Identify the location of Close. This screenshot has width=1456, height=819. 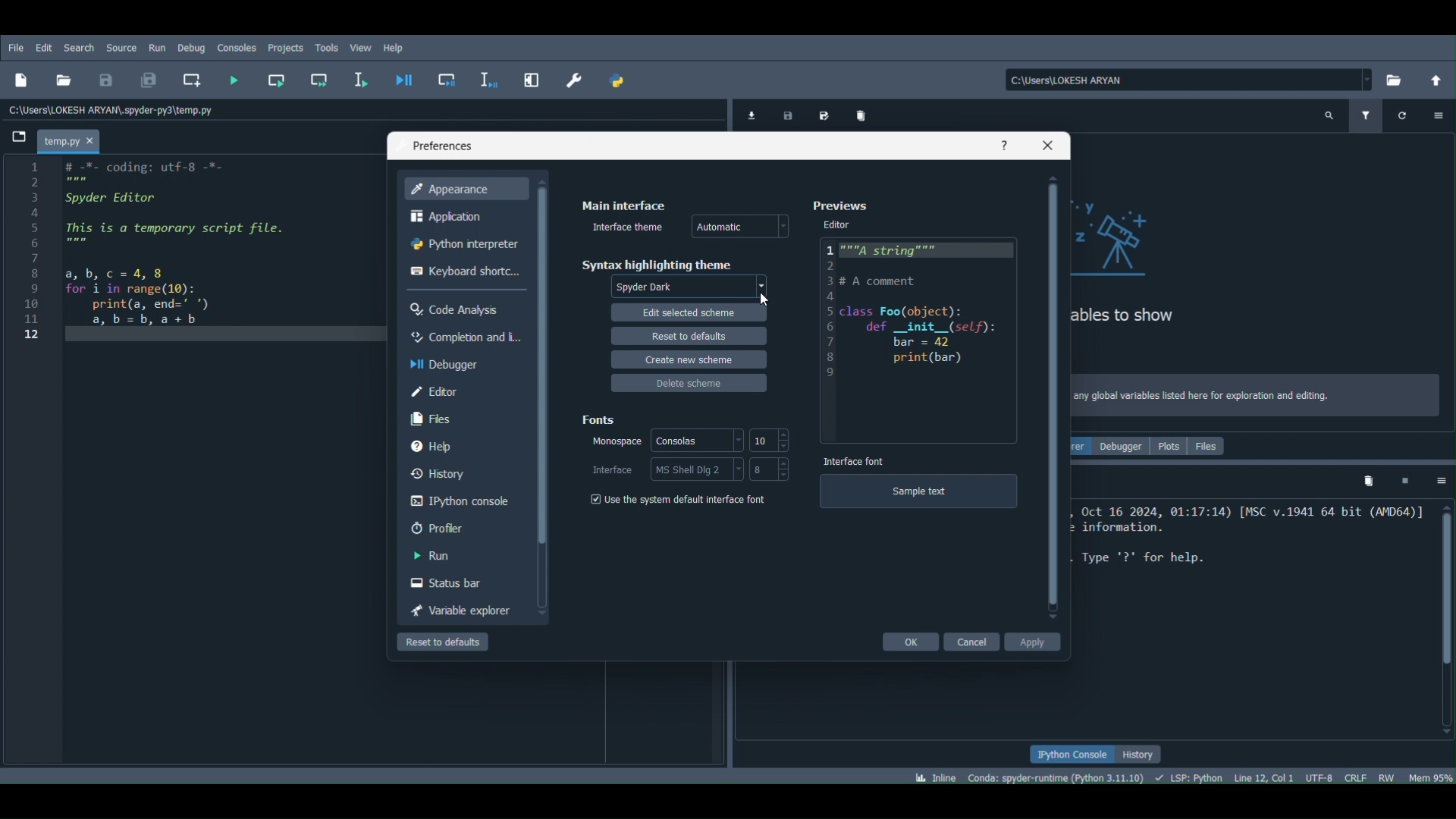
(1046, 144).